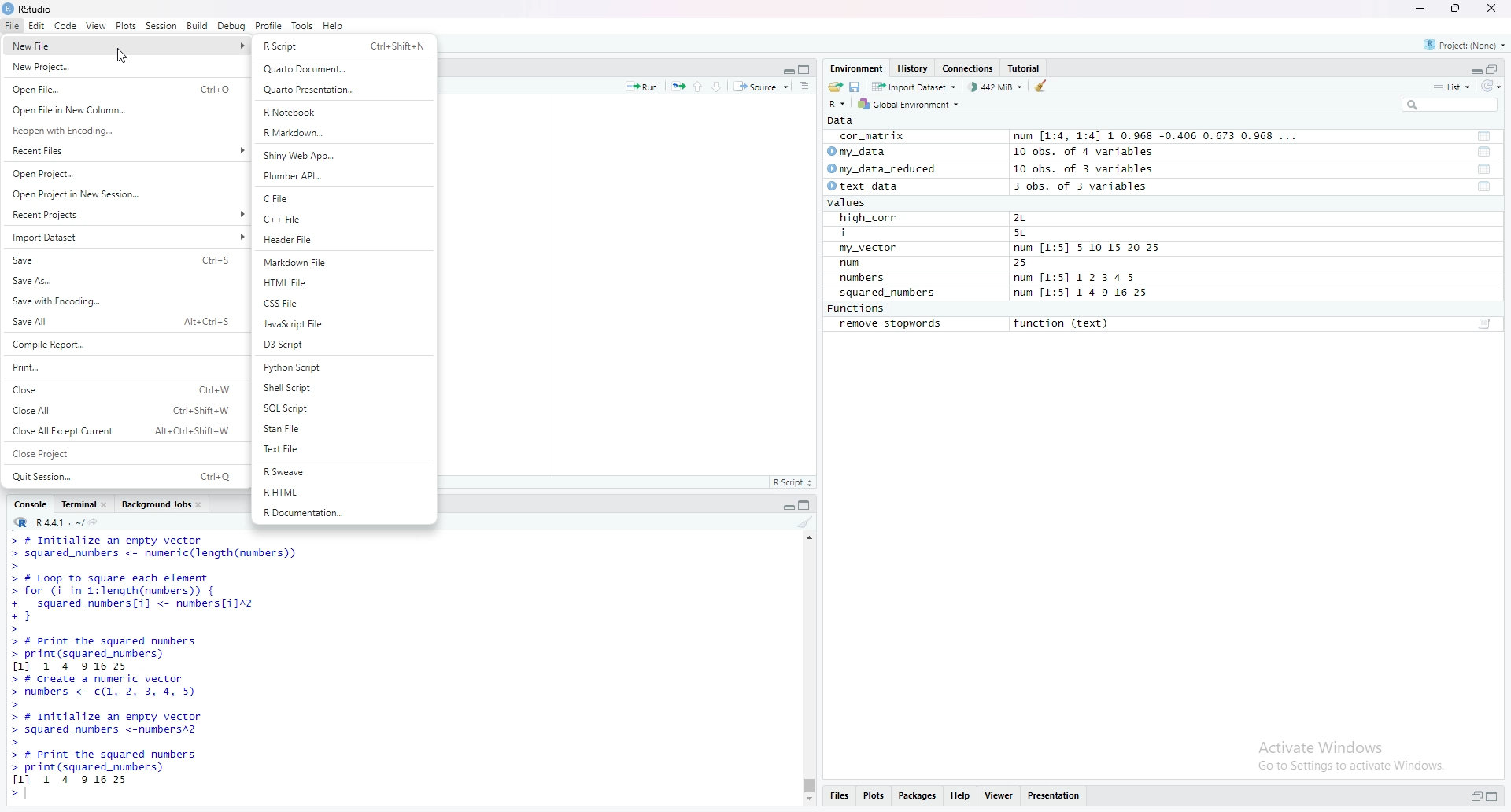 The height and width of the screenshot is (812, 1511). Describe the element at coordinates (29, 9) in the screenshot. I see `RStudio` at that location.